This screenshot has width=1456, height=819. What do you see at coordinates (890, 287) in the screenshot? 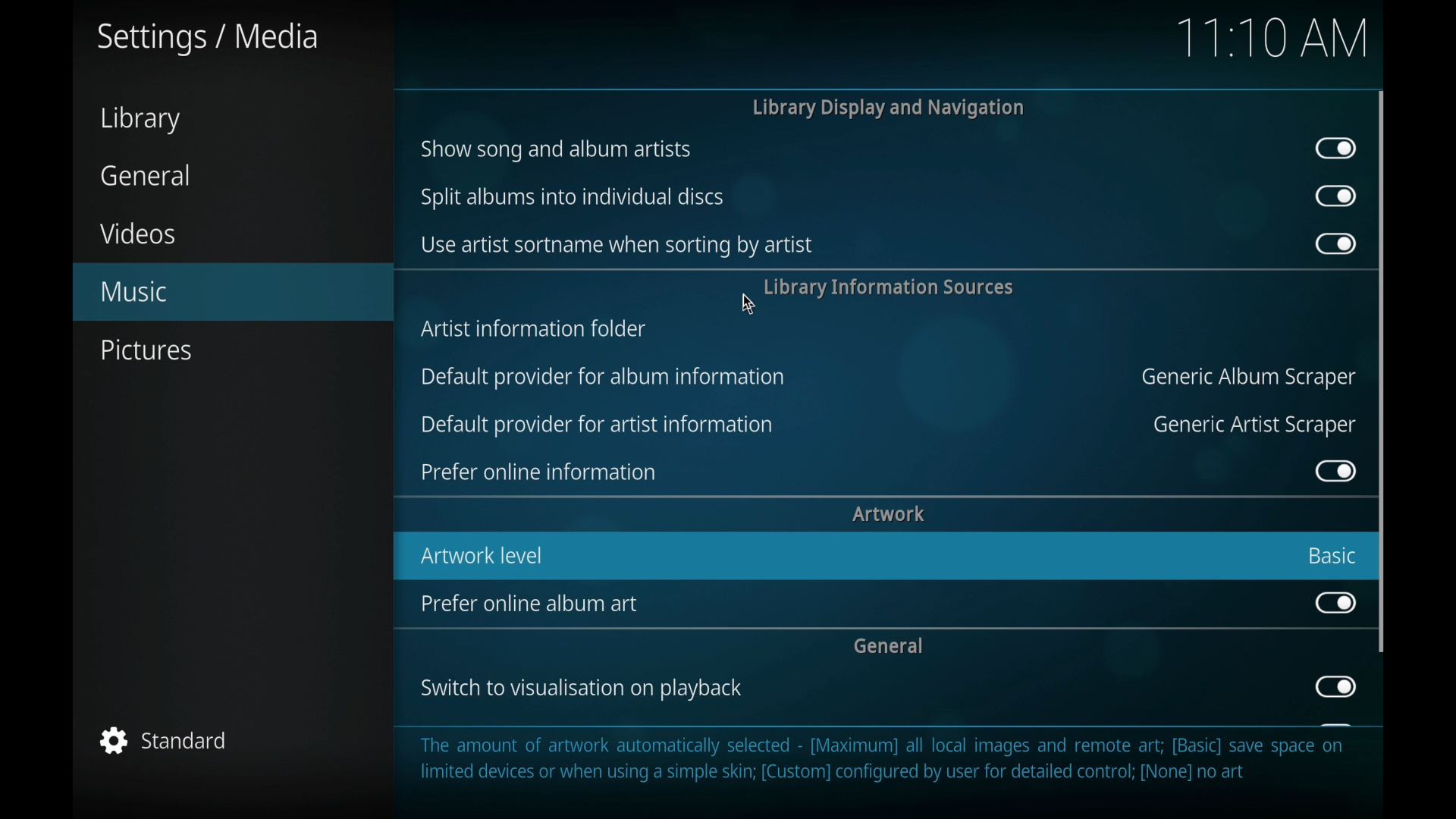
I see `library information sources` at bounding box center [890, 287].